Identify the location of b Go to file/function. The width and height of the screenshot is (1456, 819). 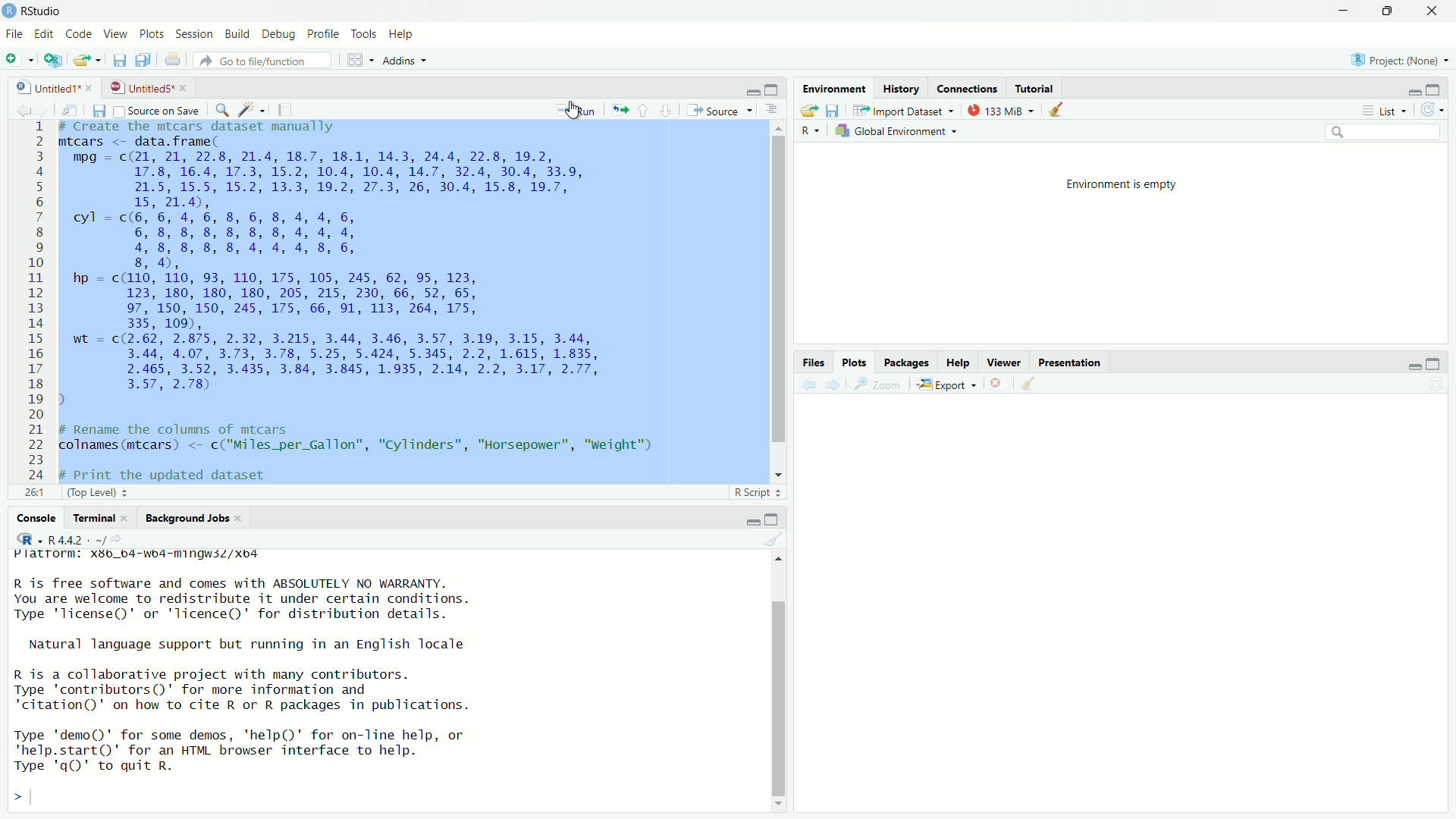
(262, 61).